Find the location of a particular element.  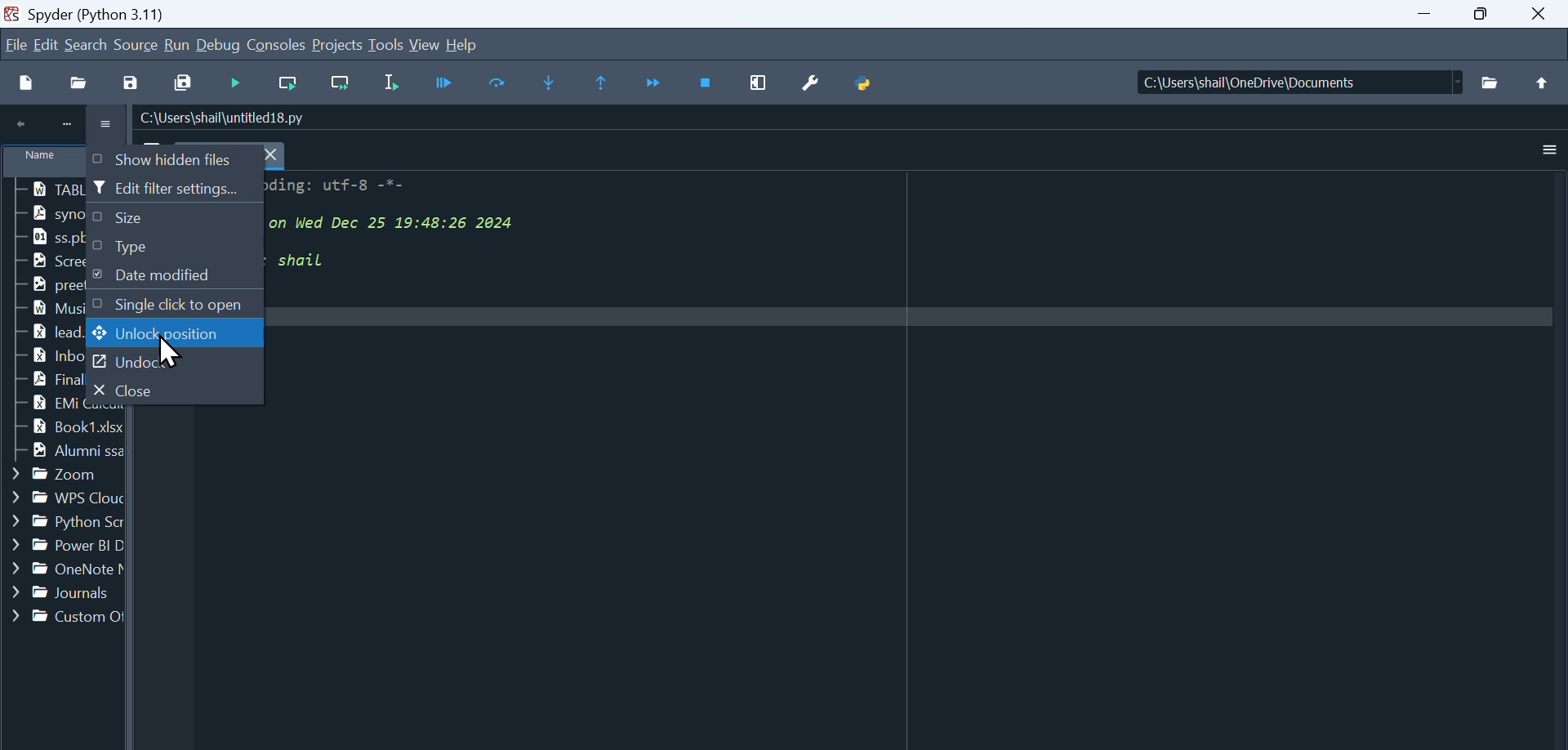

Power BI D.. is located at coordinates (64, 547).